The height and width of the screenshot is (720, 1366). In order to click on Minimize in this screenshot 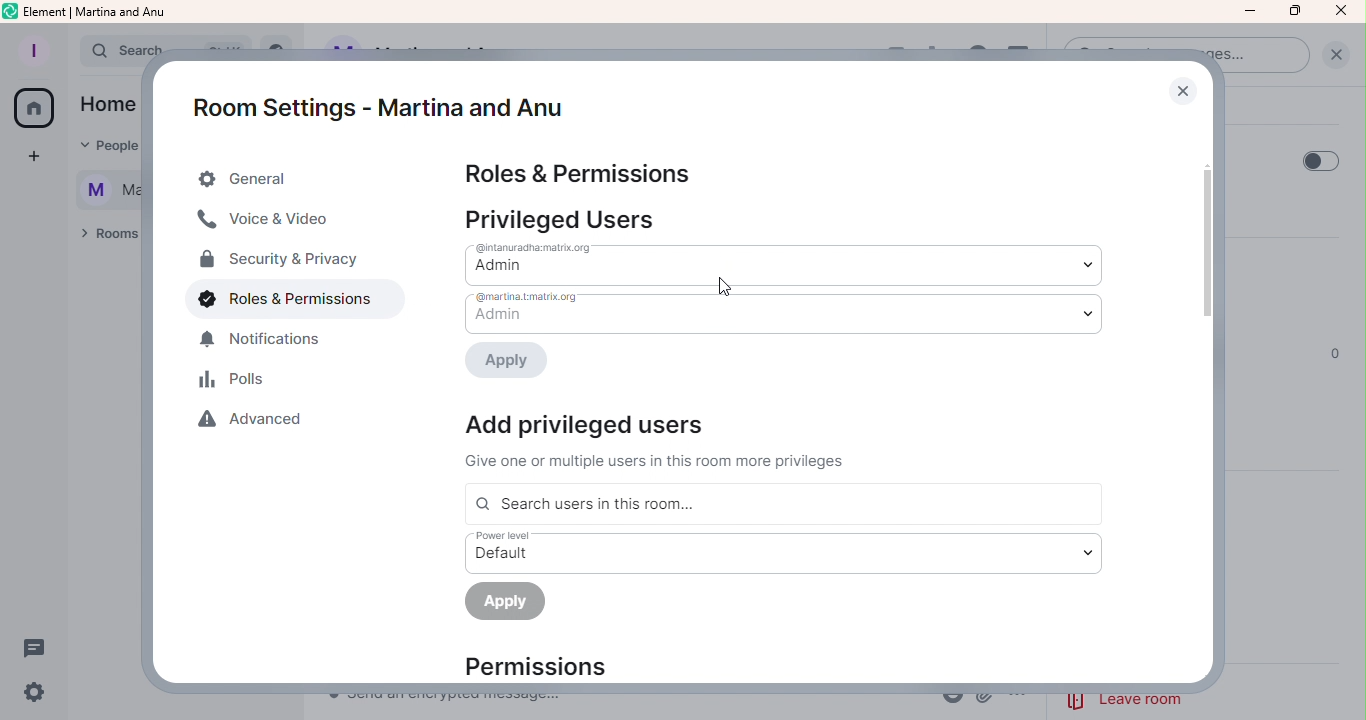, I will do `click(1249, 11)`.